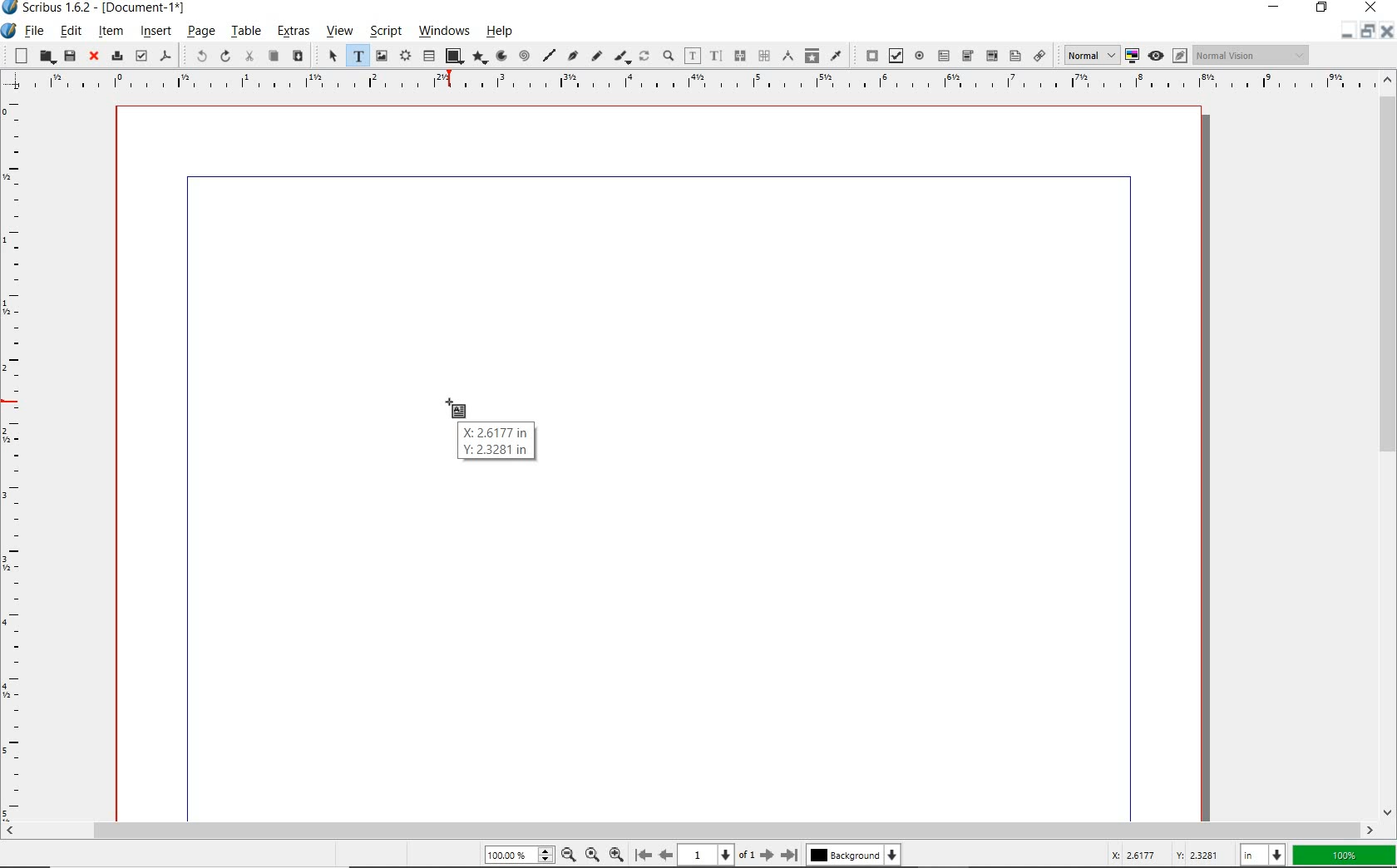 This screenshot has height=868, width=1397. I want to click on arc, so click(502, 56).